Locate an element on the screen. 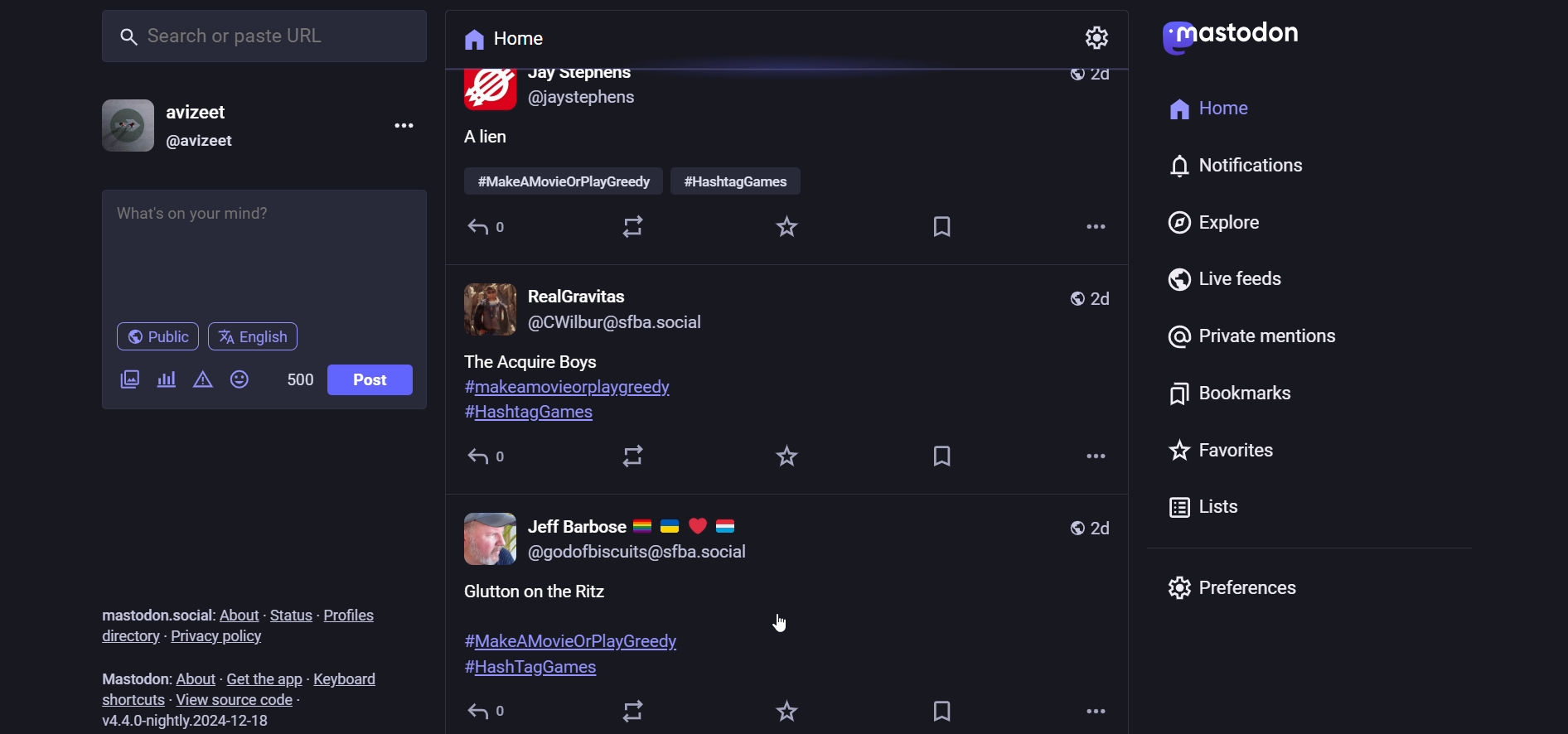 The height and width of the screenshot is (734, 1568). preferences is located at coordinates (1236, 587).